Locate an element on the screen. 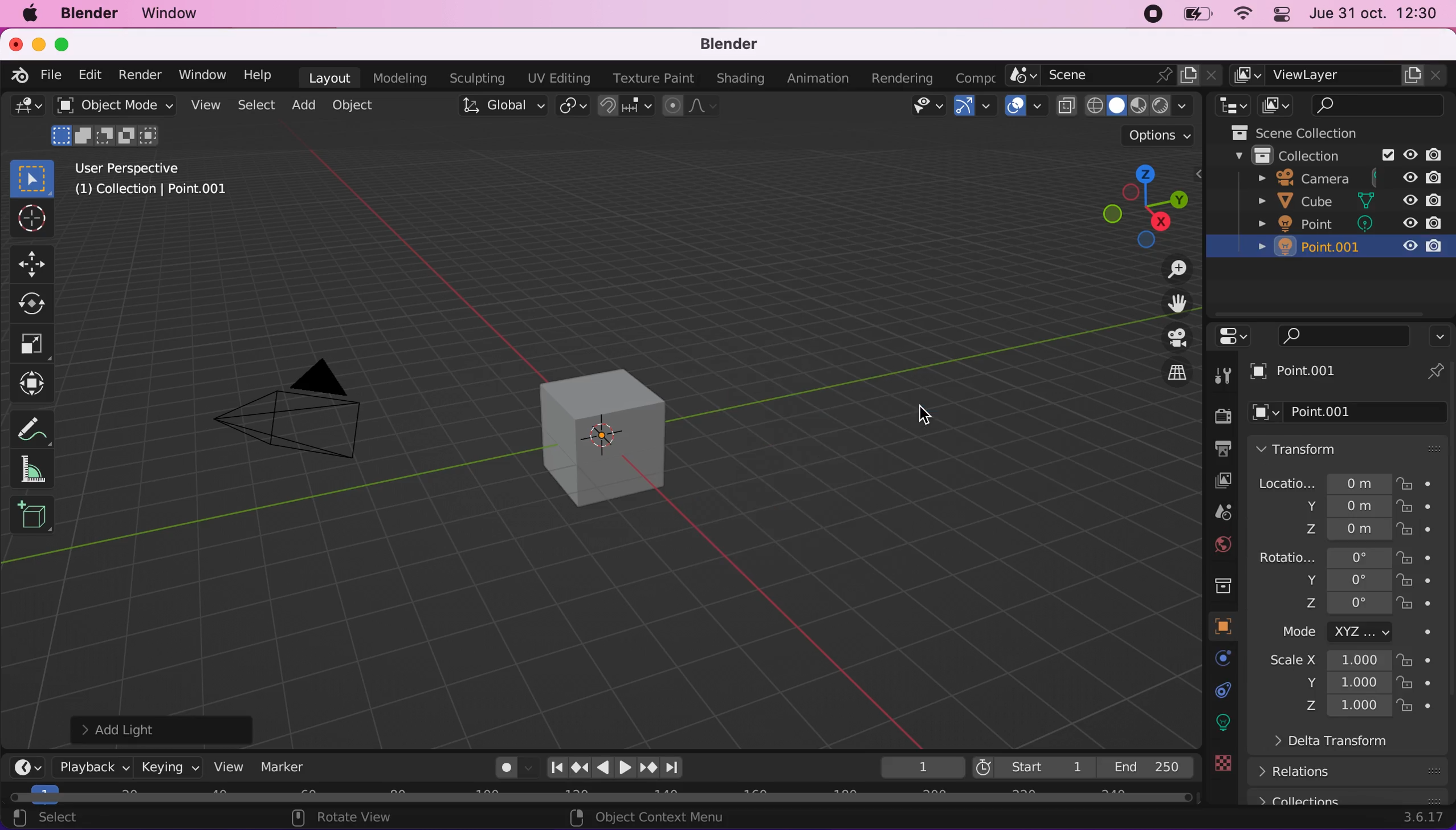 Image resolution: width=1456 pixels, height=830 pixels. edit is located at coordinates (92, 77).